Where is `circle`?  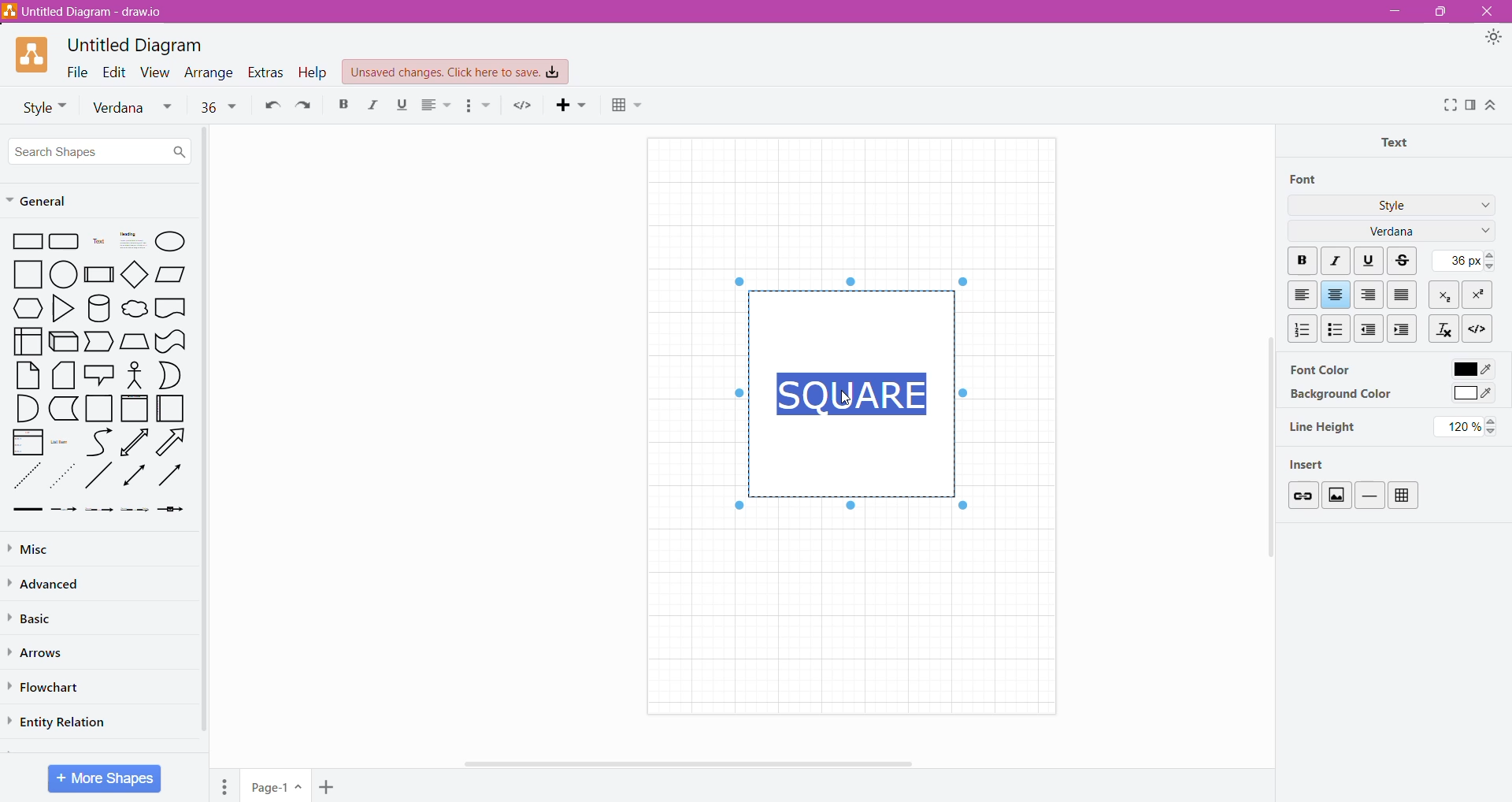
circle is located at coordinates (64, 273).